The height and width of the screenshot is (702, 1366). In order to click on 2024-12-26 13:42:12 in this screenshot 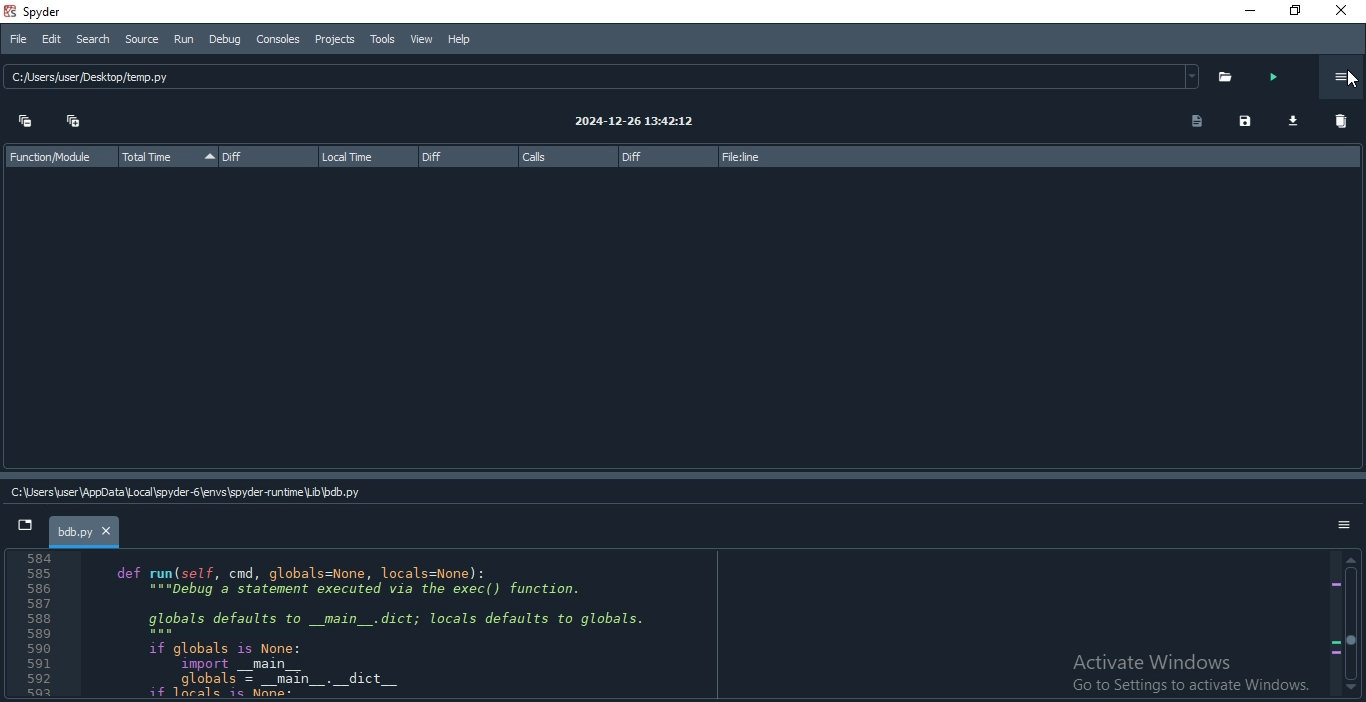, I will do `click(629, 123)`.